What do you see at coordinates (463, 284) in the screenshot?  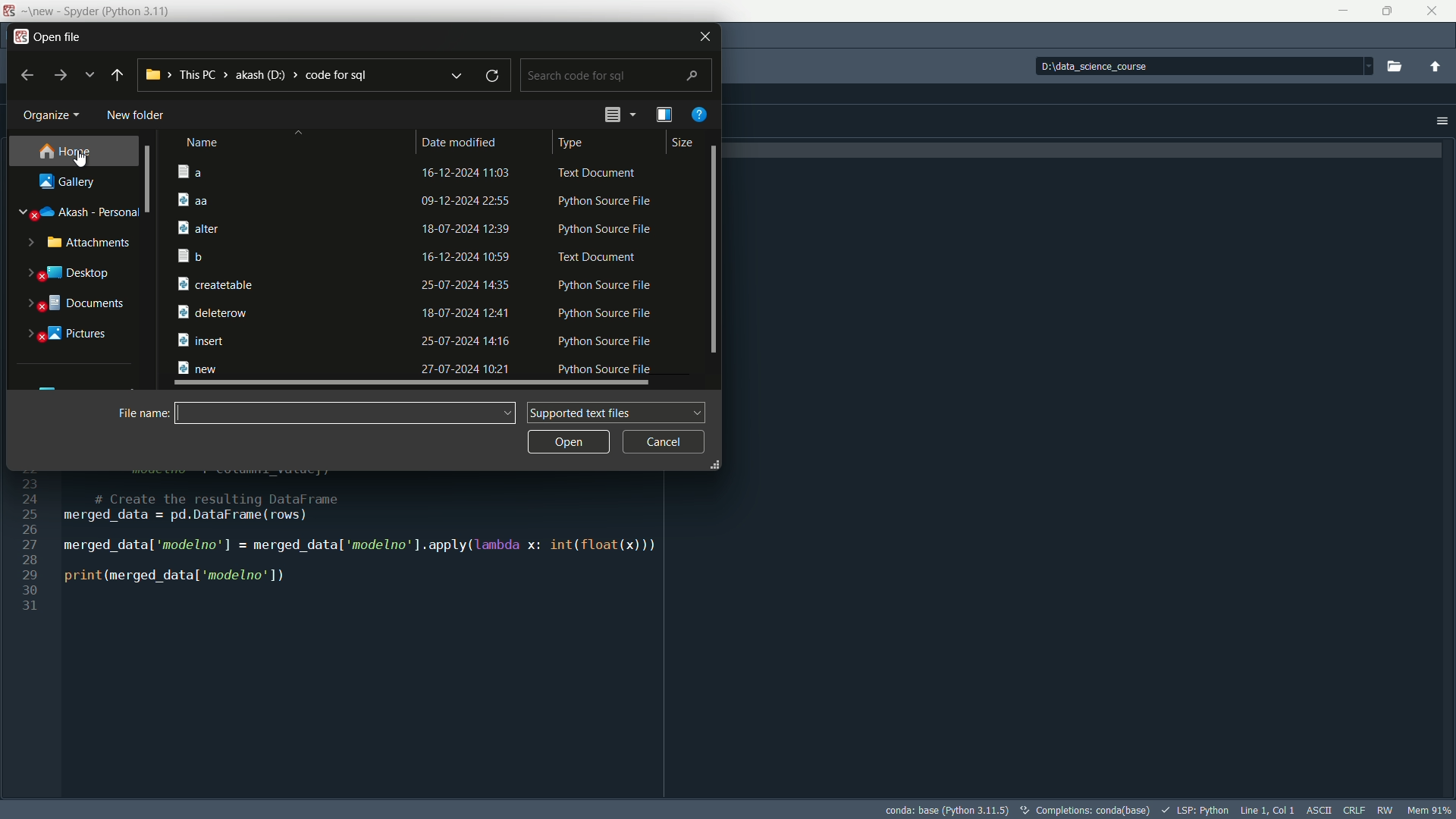 I see `timestamp` at bounding box center [463, 284].